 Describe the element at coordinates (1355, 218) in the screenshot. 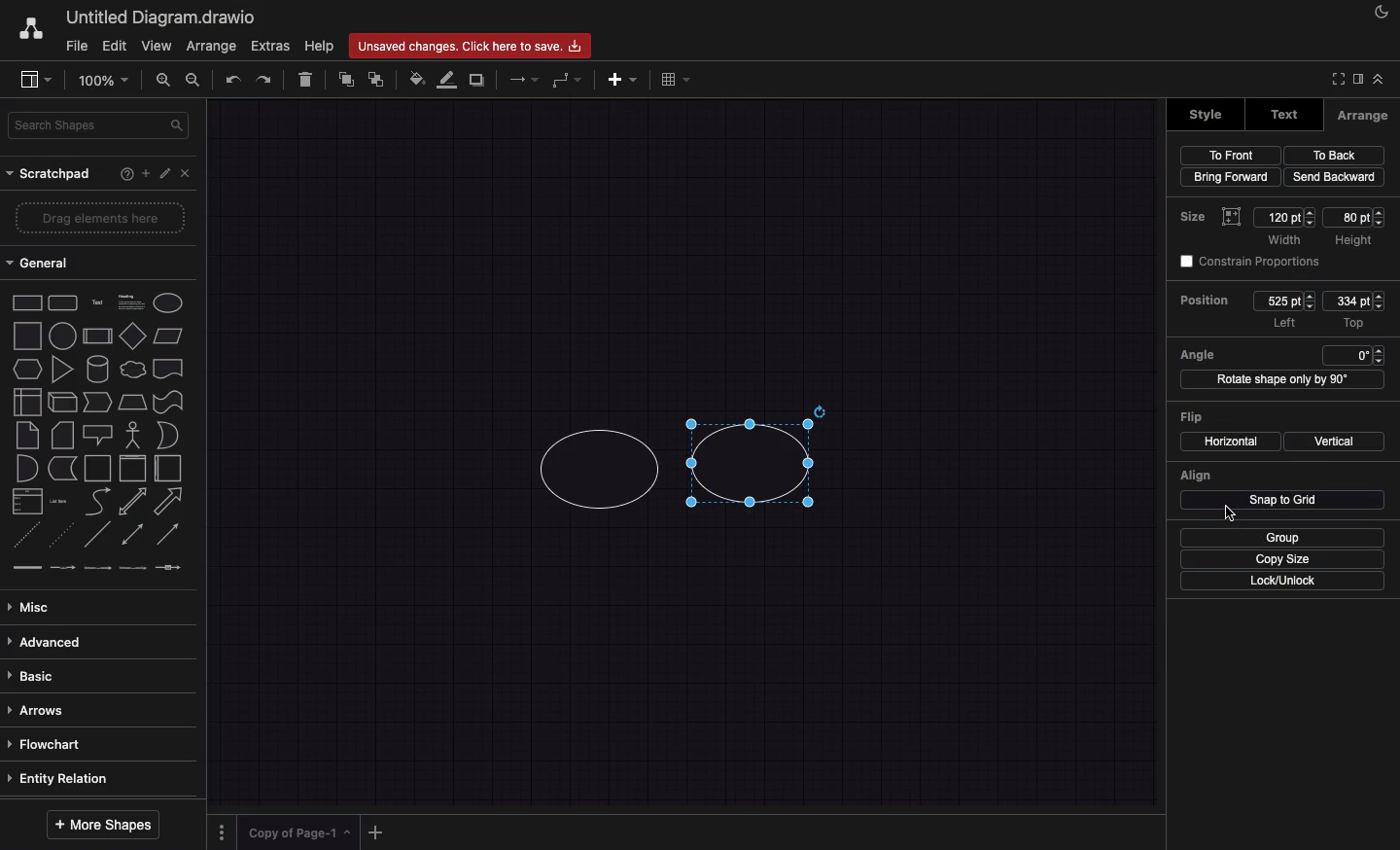

I see `80pt` at that location.